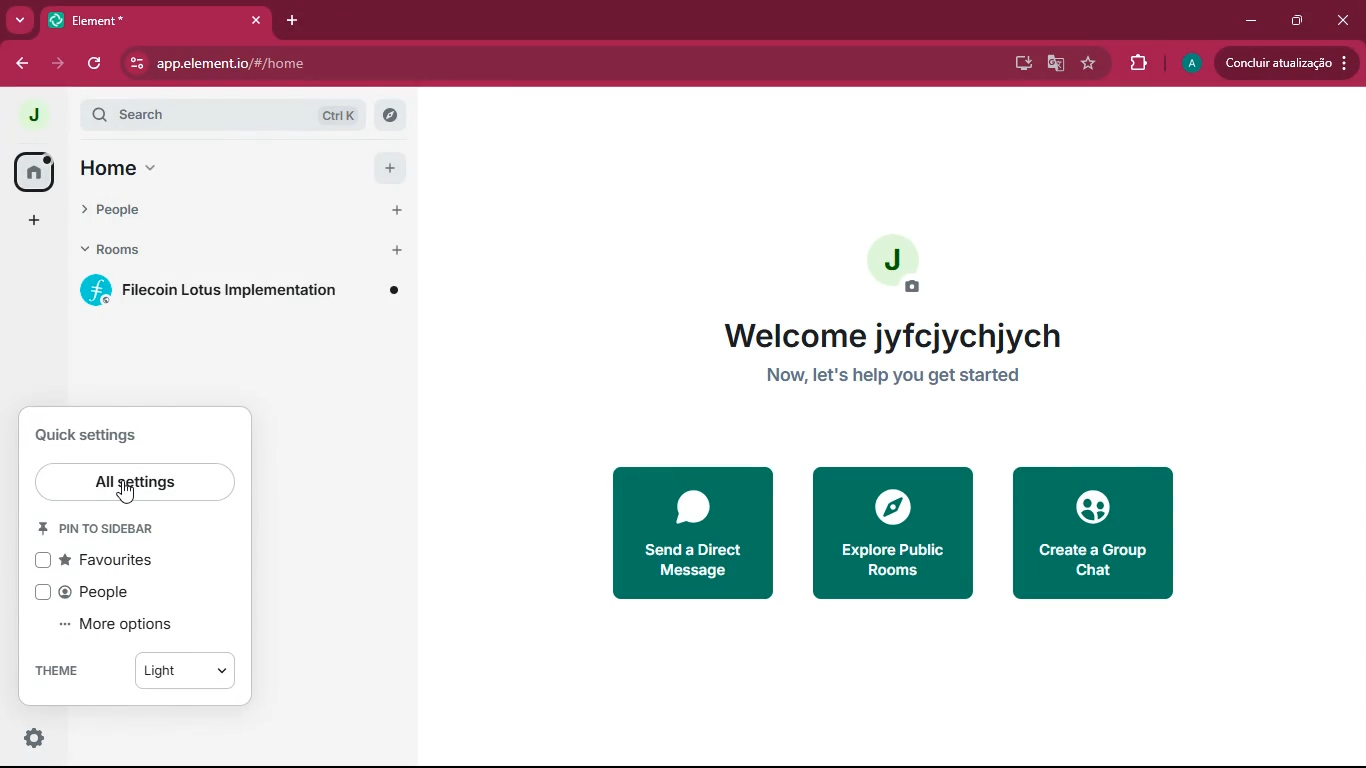 This screenshot has width=1366, height=768. Describe the element at coordinates (233, 115) in the screenshot. I see `search ctrl` at that location.